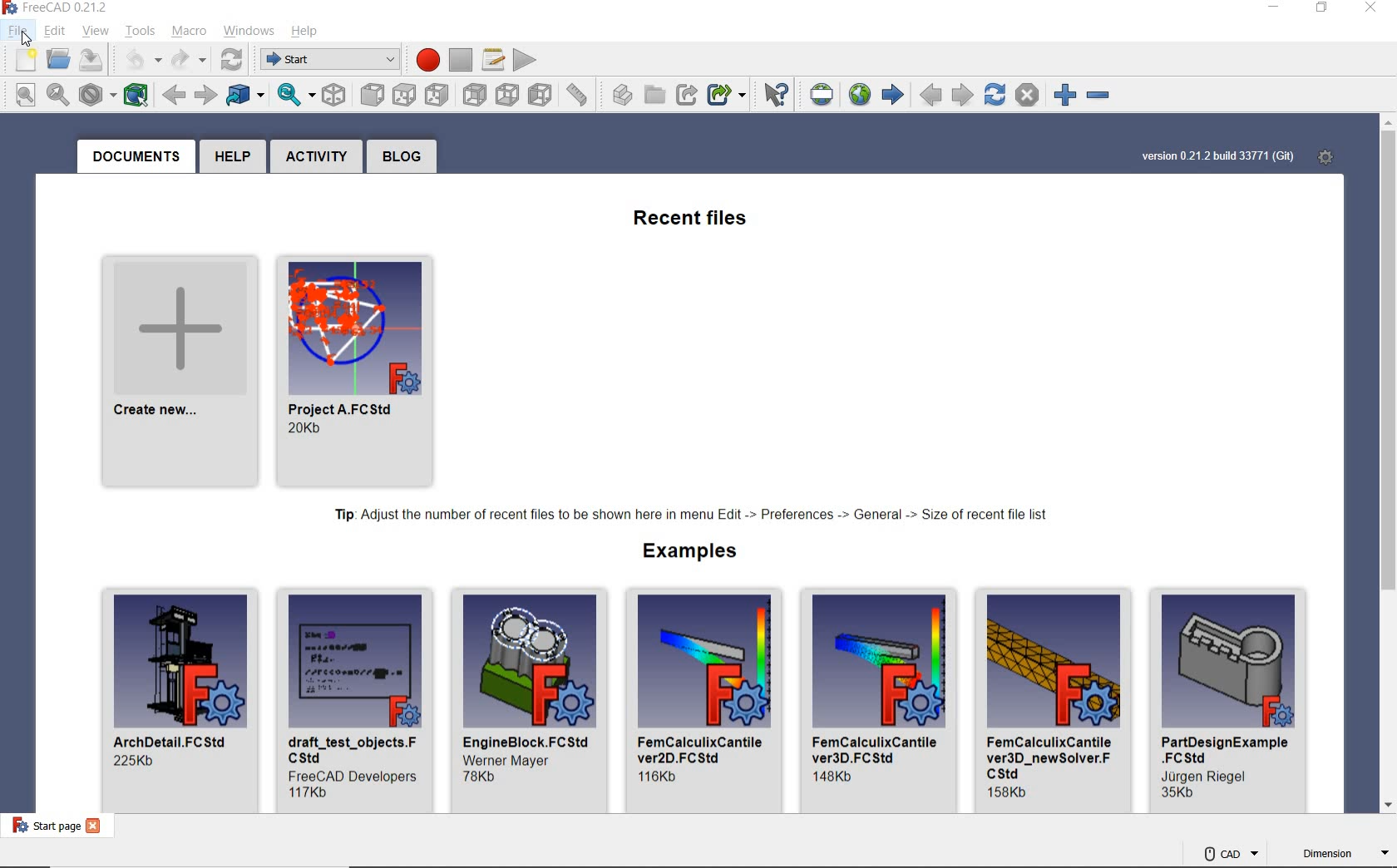 The image size is (1397, 868). What do you see at coordinates (695, 515) in the screenshot?
I see `TIP` at bounding box center [695, 515].